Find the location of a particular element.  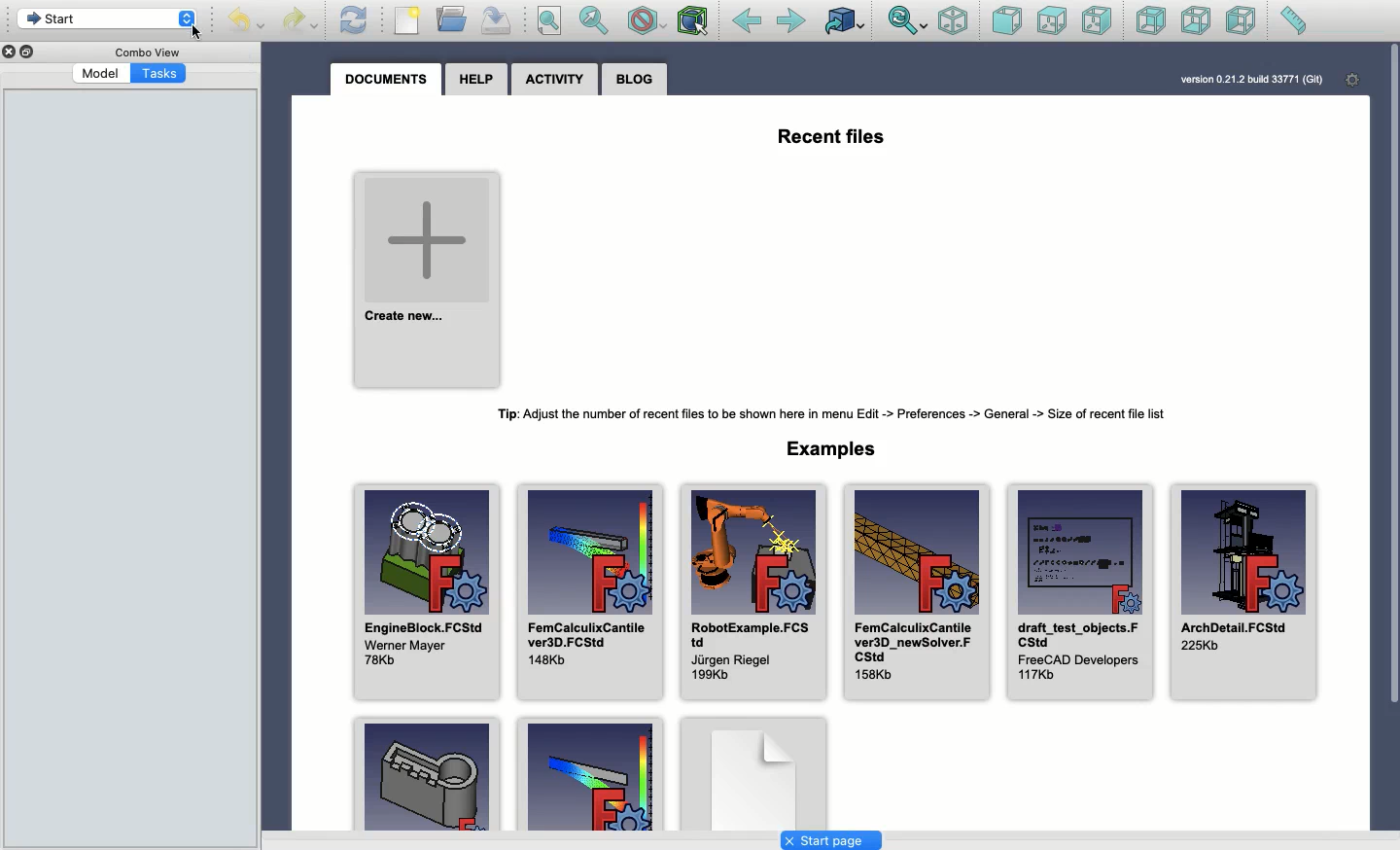

Measure is located at coordinates (1292, 22).